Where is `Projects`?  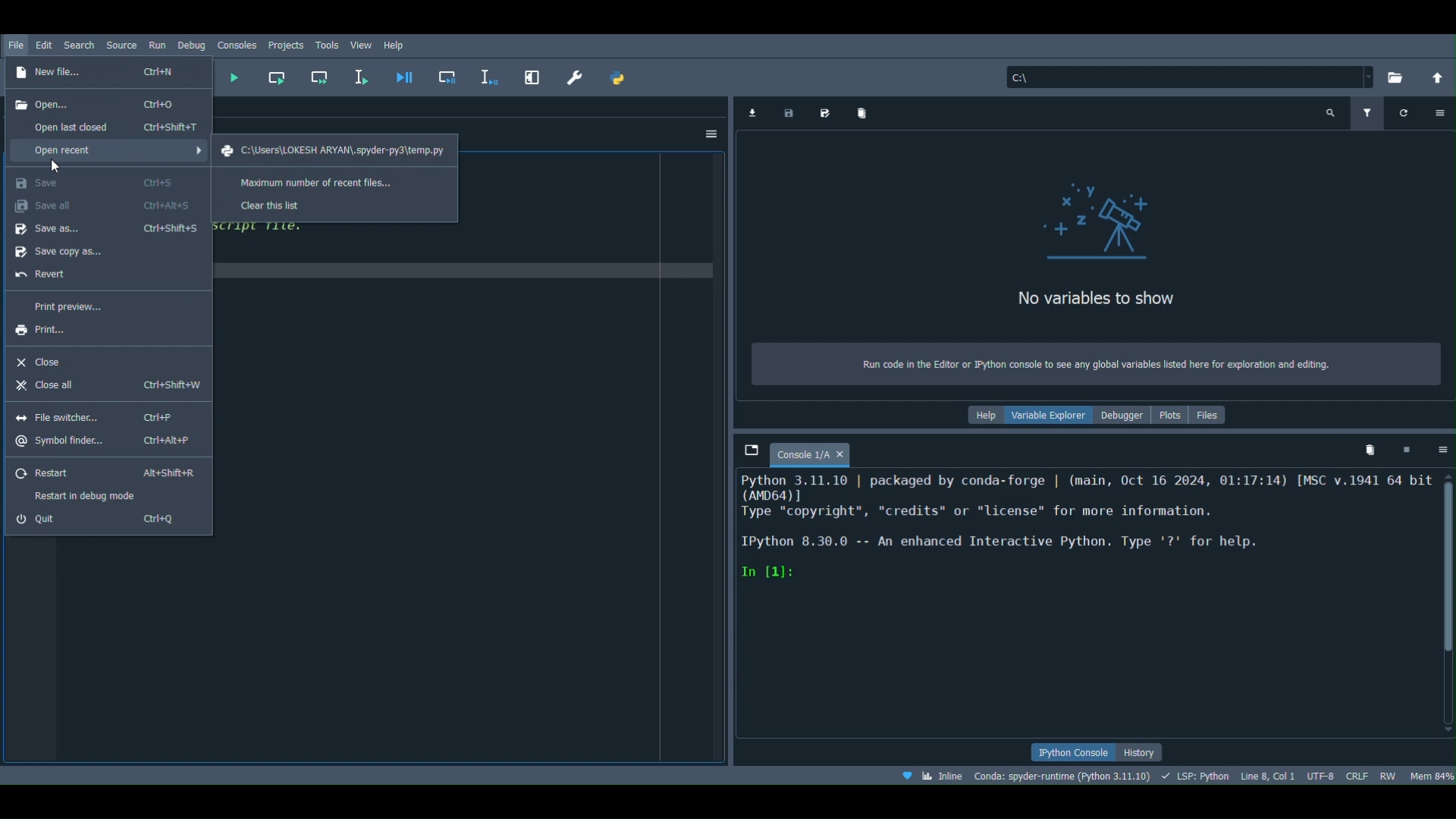
Projects is located at coordinates (288, 43).